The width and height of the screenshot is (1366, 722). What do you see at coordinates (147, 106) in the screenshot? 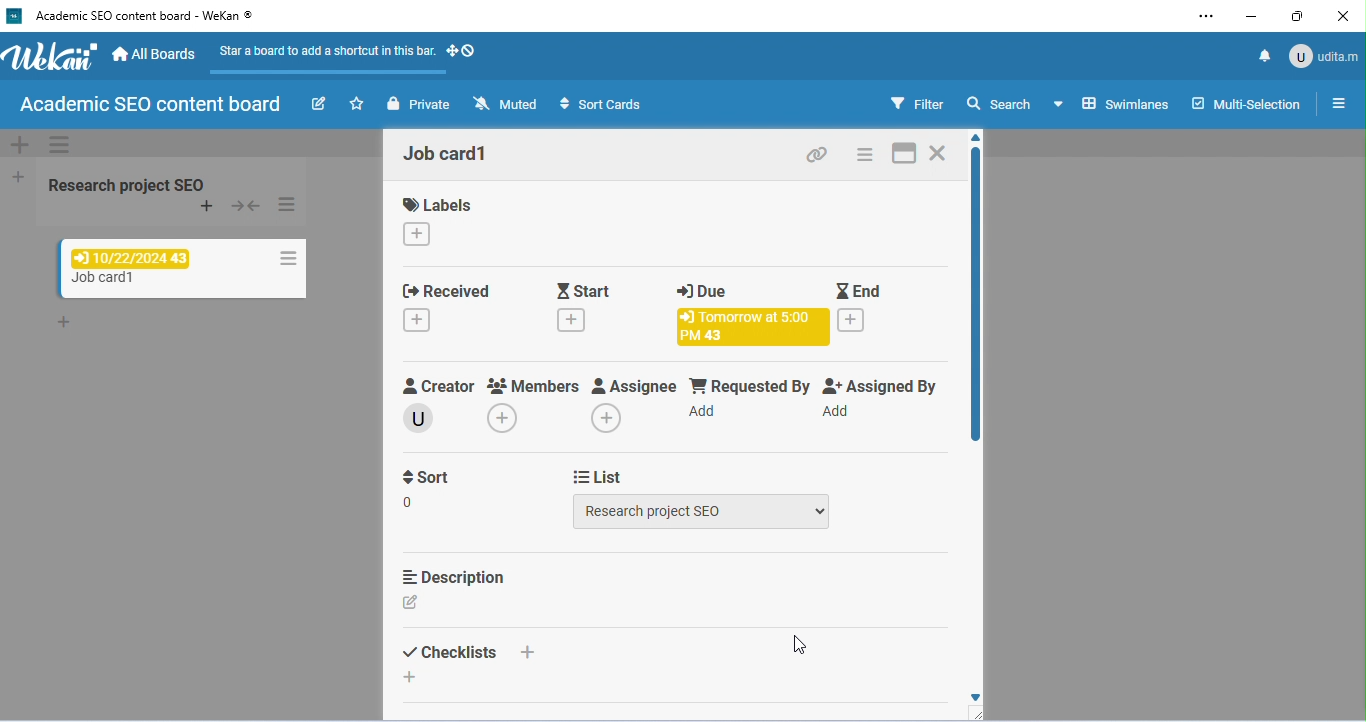
I see `board name: Academic SEO content board` at bounding box center [147, 106].